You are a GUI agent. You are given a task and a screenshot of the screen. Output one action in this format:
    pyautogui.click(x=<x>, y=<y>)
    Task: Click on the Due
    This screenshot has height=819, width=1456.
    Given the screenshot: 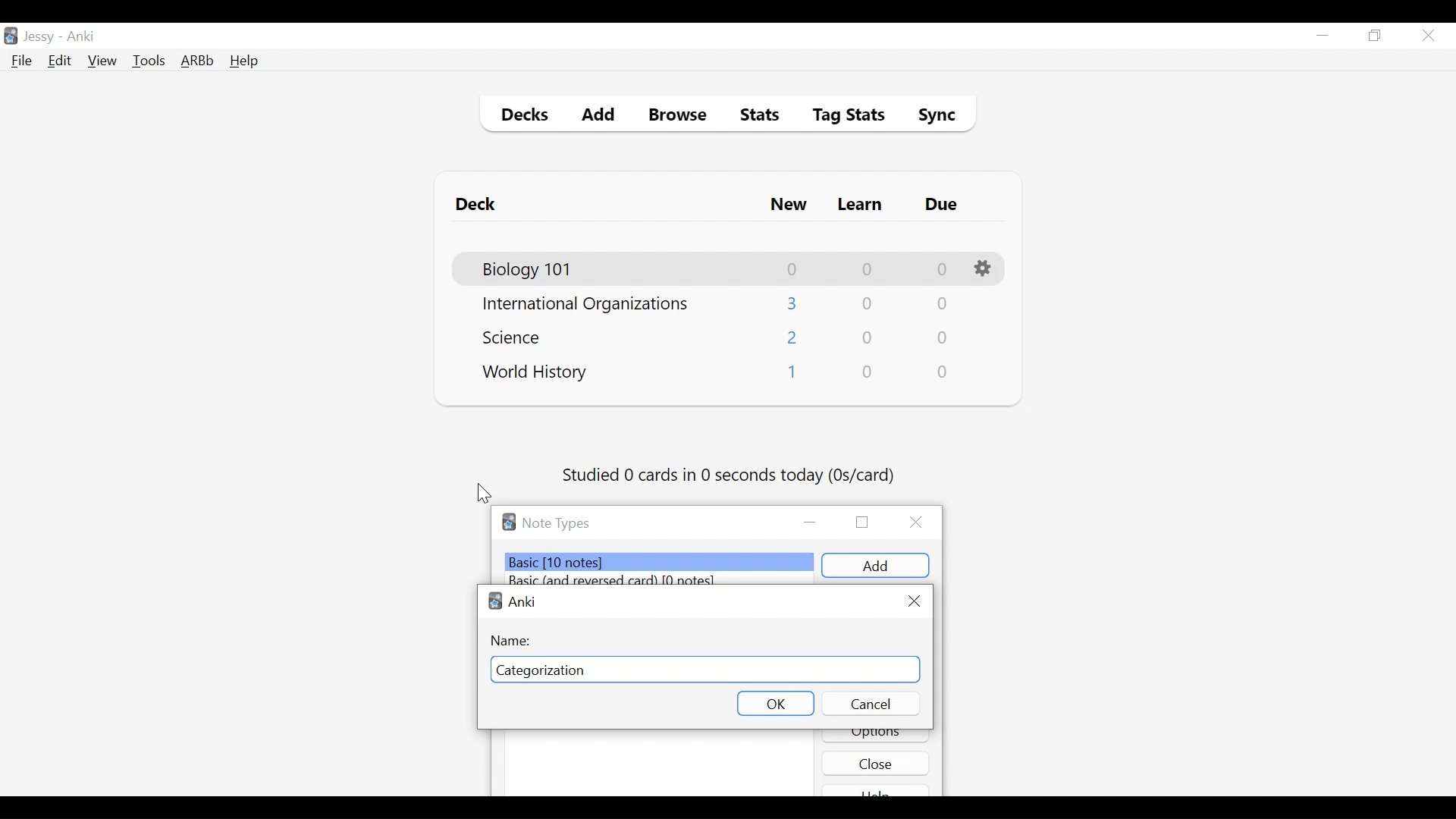 What is the action you would take?
    pyautogui.click(x=943, y=205)
    